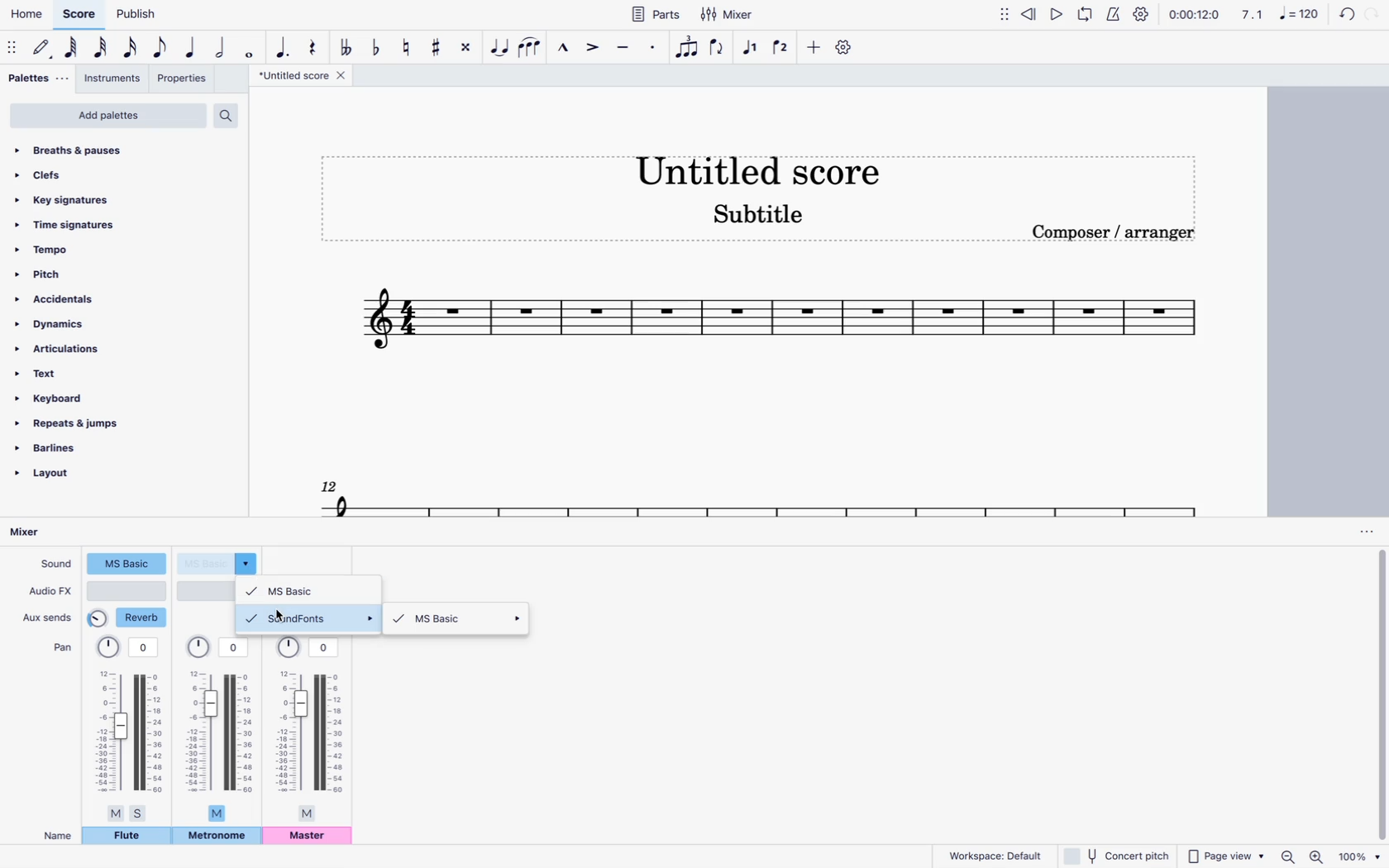  Describe the element at coordinates (60, 648) in the screenshot. I see `pan` at that location.